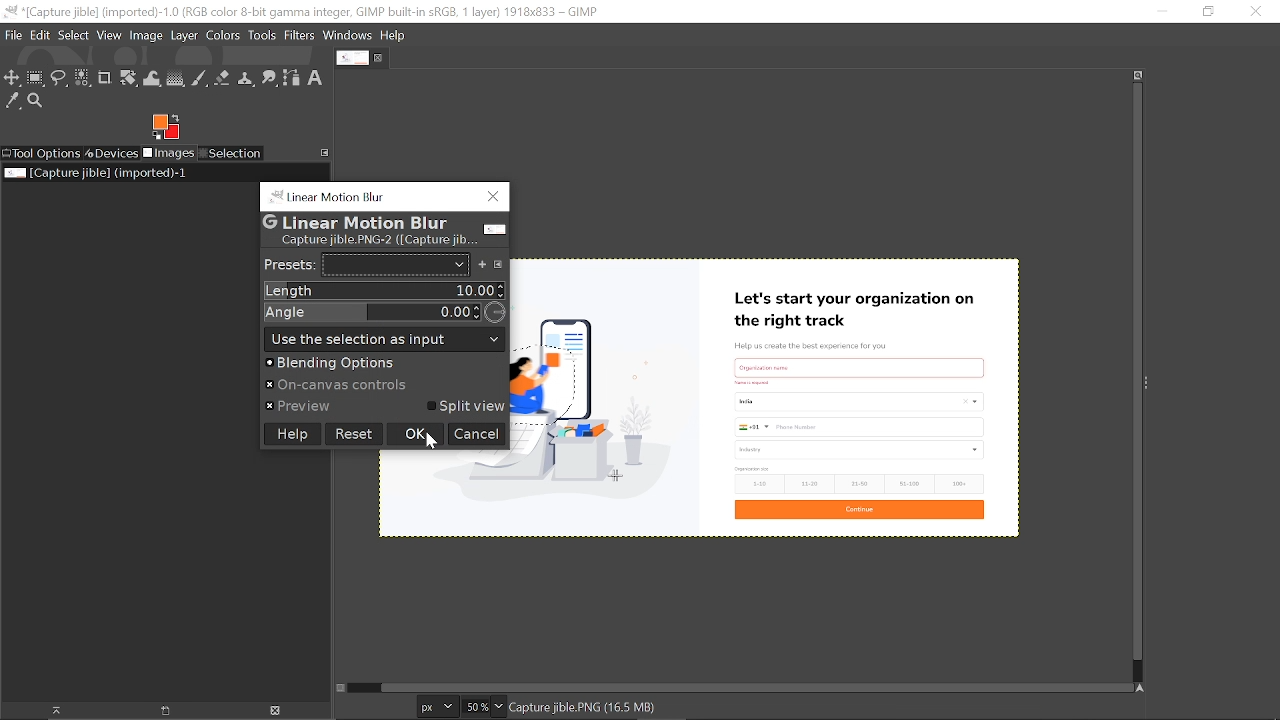 This screenshot has width=1280, height=720. I want to click on Select by color, so click(82, 79).